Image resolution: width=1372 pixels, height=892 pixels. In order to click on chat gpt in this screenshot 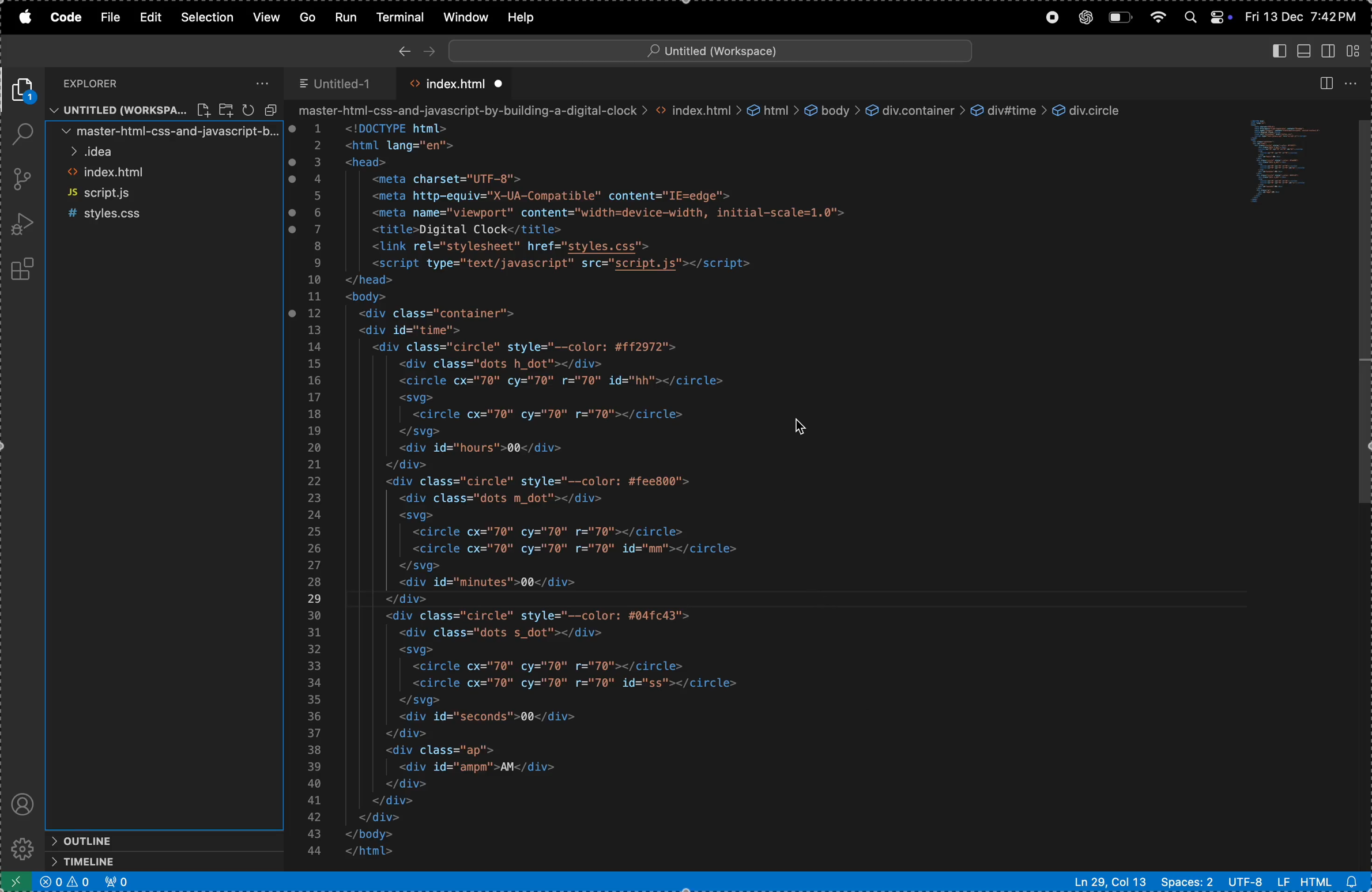, I will do `click(1085, 17)`.